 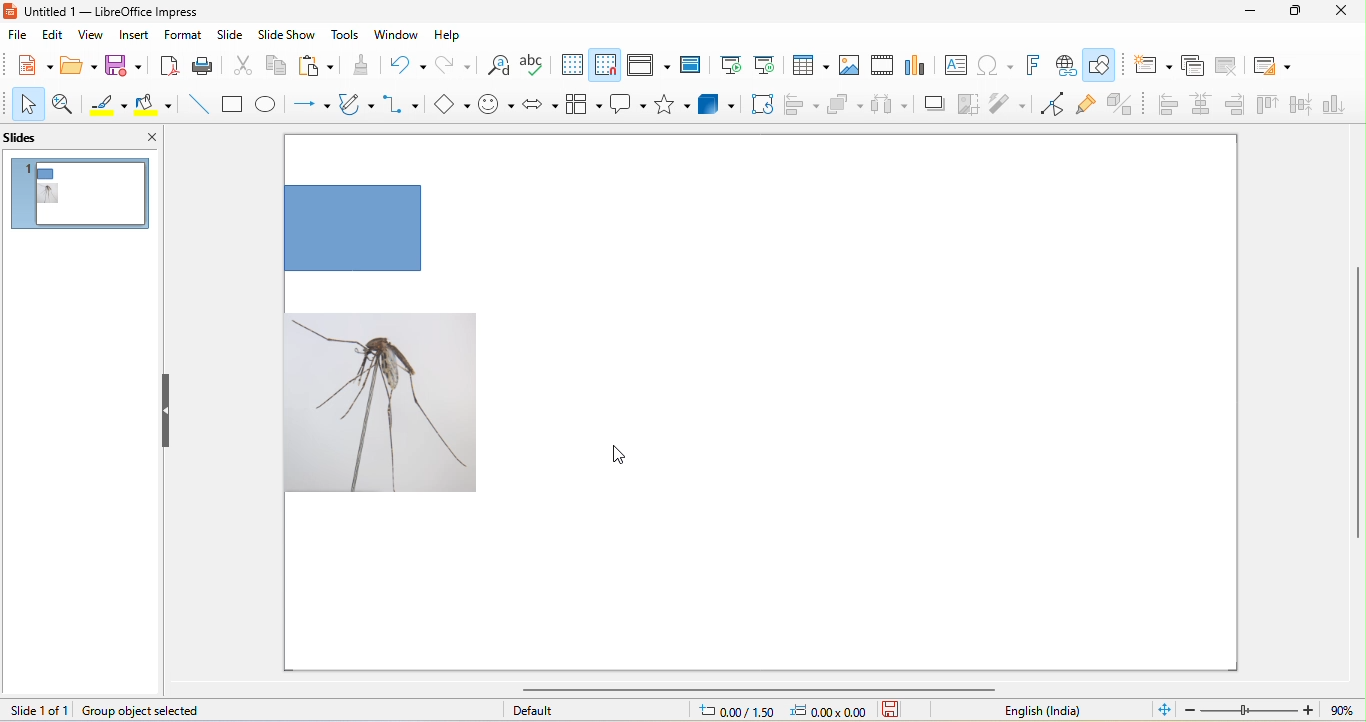 What do you see at coordinates (278, 66) in the screenshot?
I see `copy` at bounding box center [278, 66].